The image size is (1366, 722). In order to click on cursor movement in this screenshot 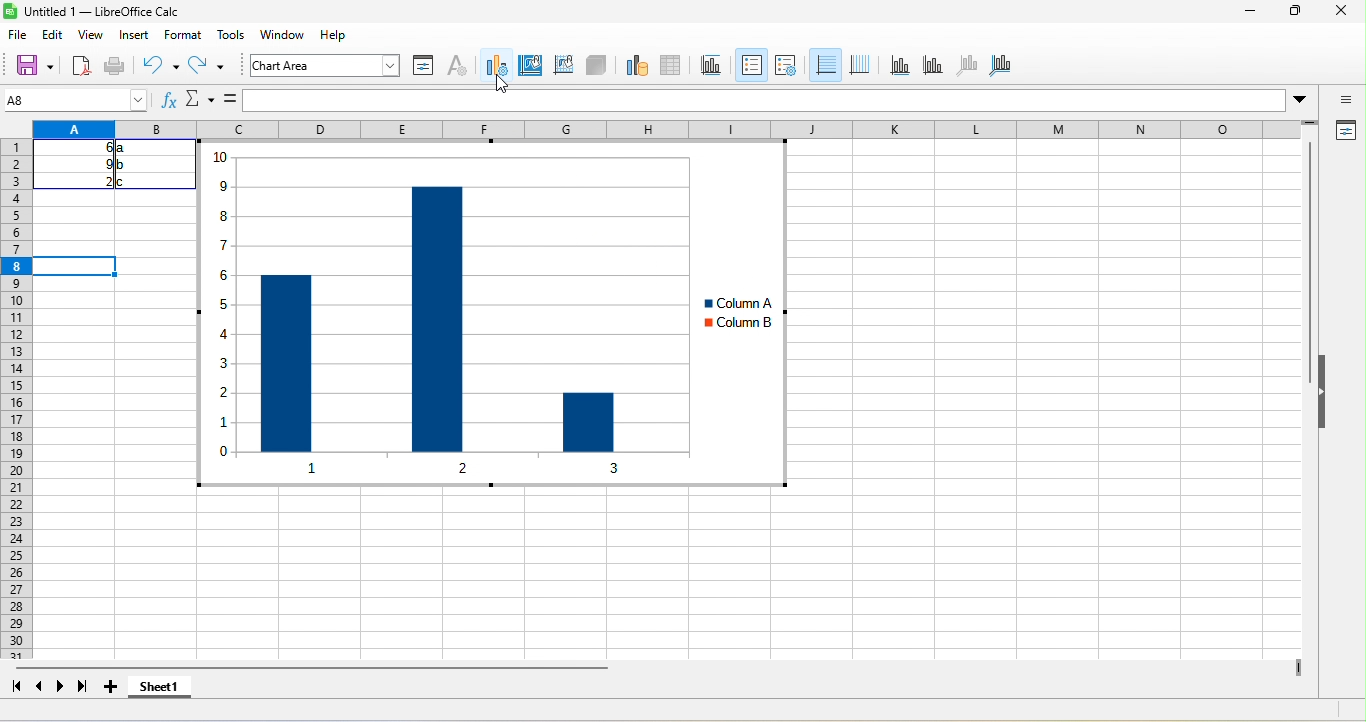, I will do `click(504, 85)`.